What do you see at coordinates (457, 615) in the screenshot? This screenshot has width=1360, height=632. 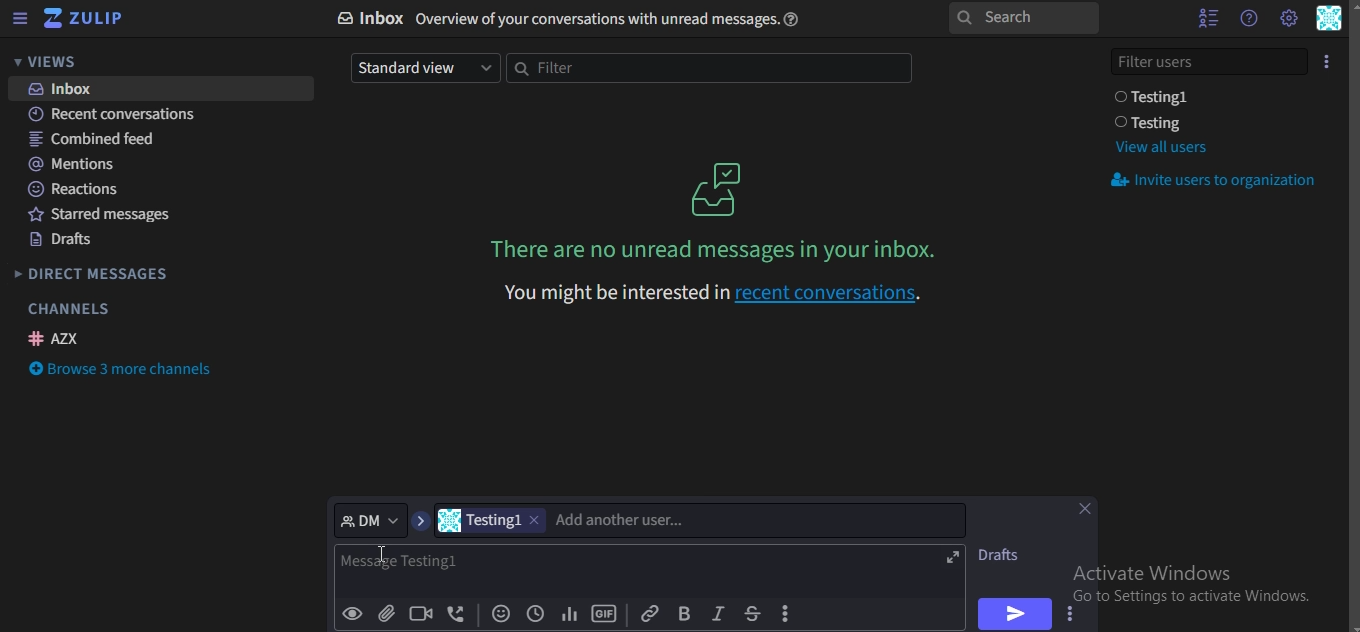 I see `add voice call` at bounding box center [457, 615].